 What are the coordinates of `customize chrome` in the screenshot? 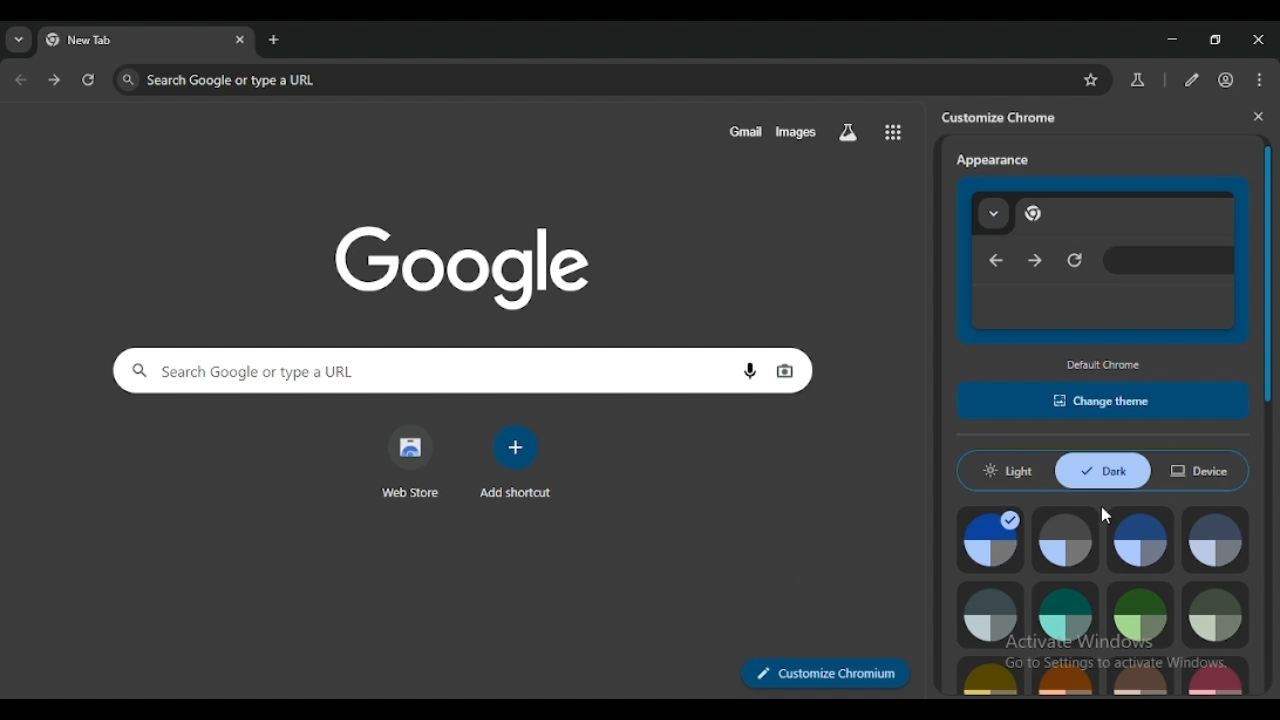 It's located at (999, 118).